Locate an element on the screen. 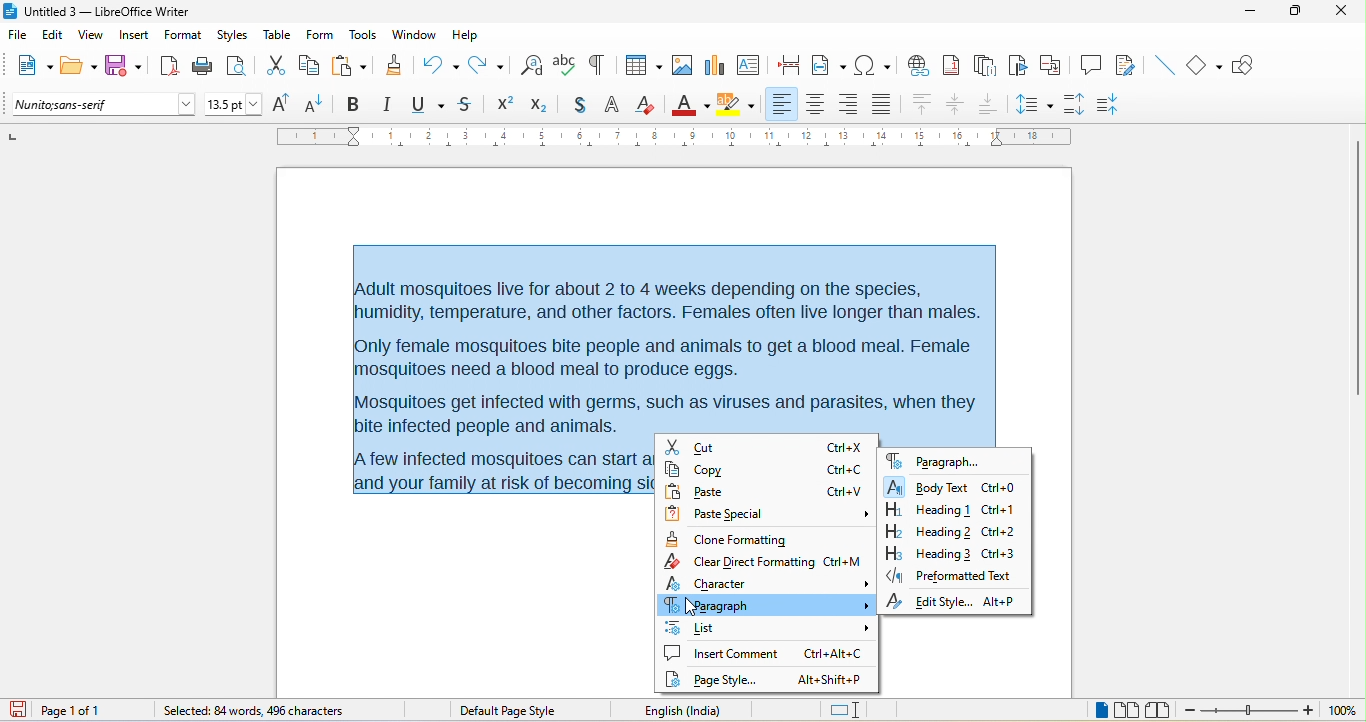 The height and width of the screenshot is (722, 1366). show draw function is located at coordinates (1250, 65).